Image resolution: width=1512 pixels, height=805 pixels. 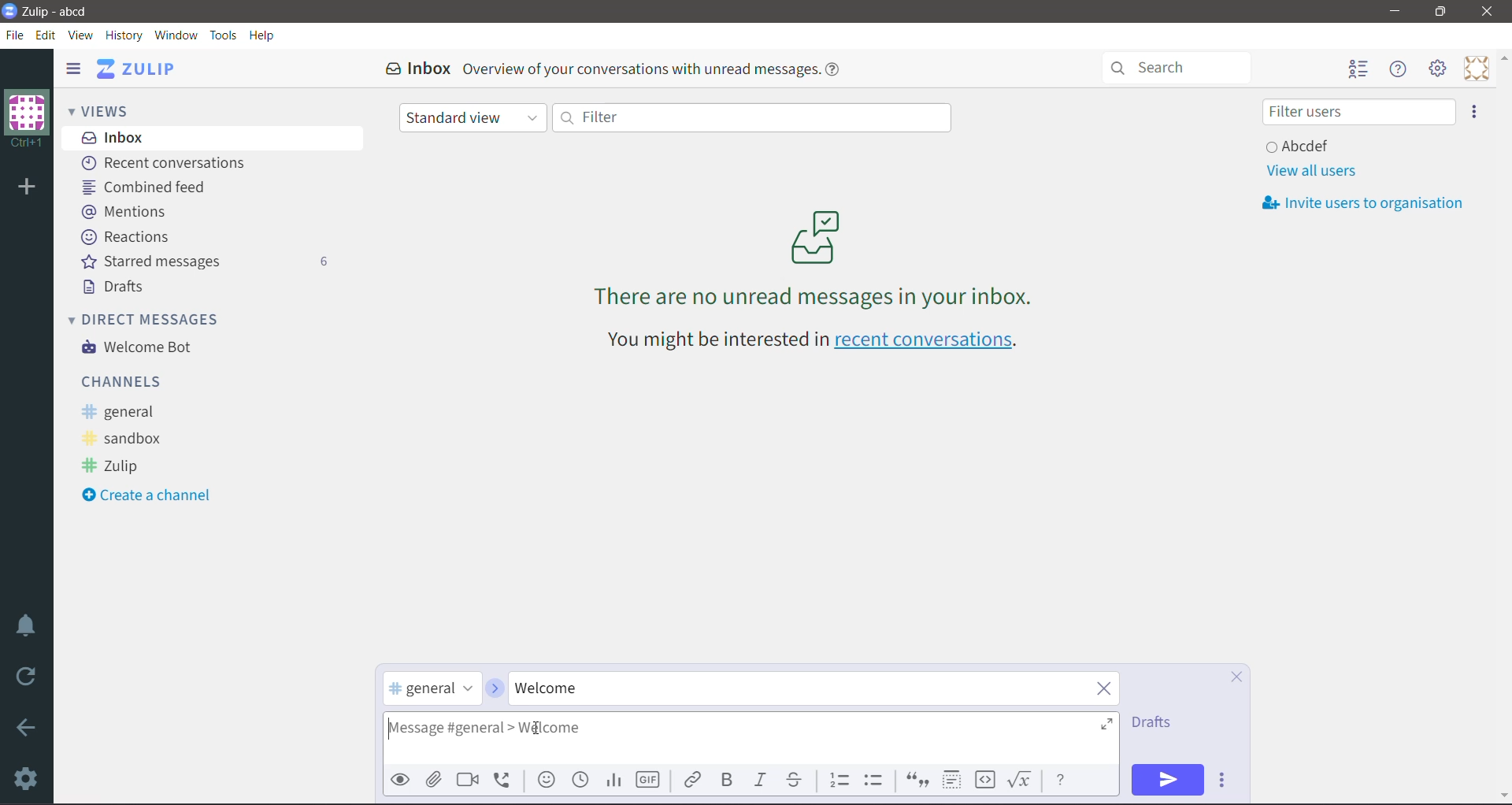 What do you see at coordinates (433, 689) in the screenshot?
I see `selected channel` at bounding box center [433, 689].